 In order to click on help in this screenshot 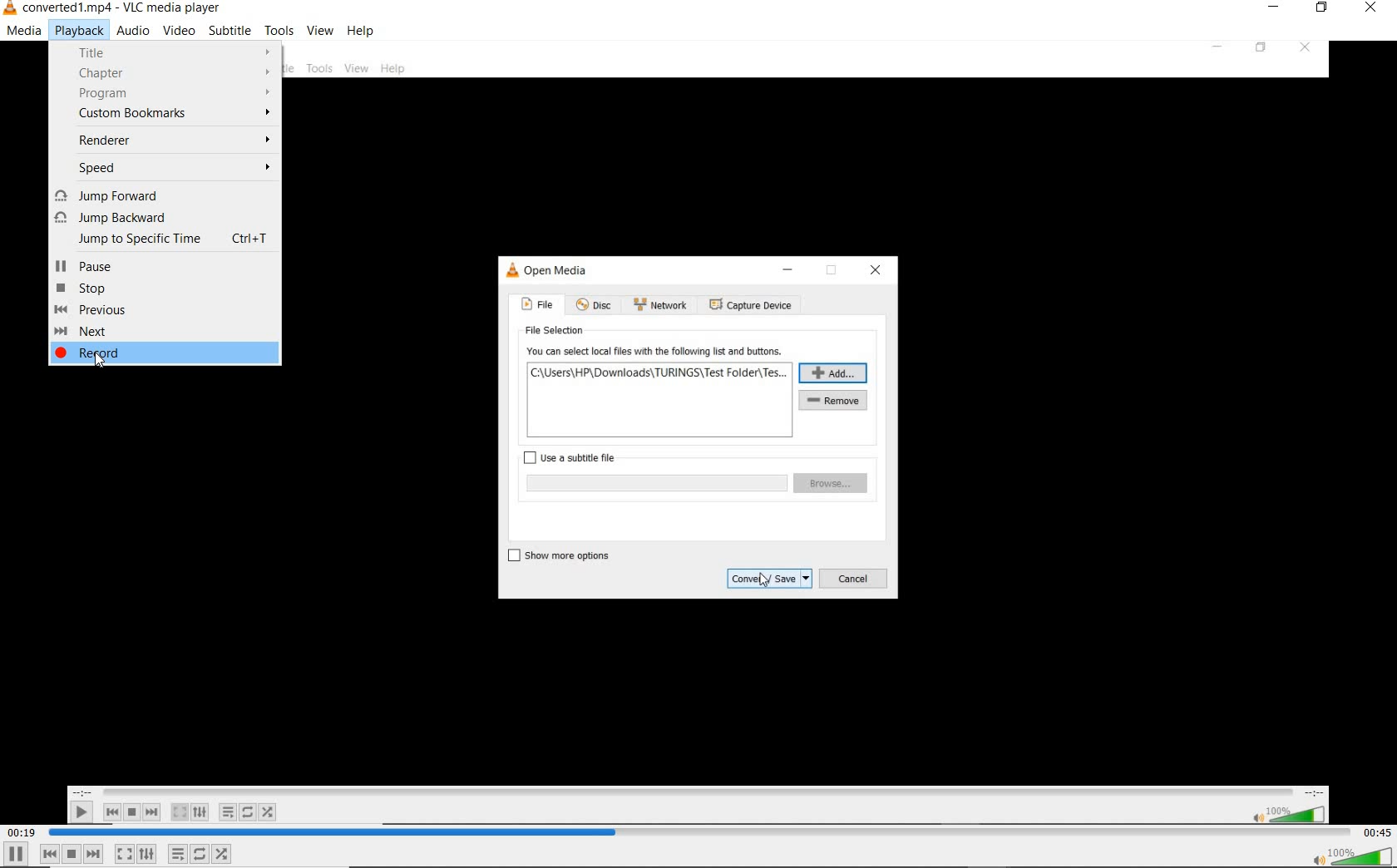, I will do `click(363, 31)`.